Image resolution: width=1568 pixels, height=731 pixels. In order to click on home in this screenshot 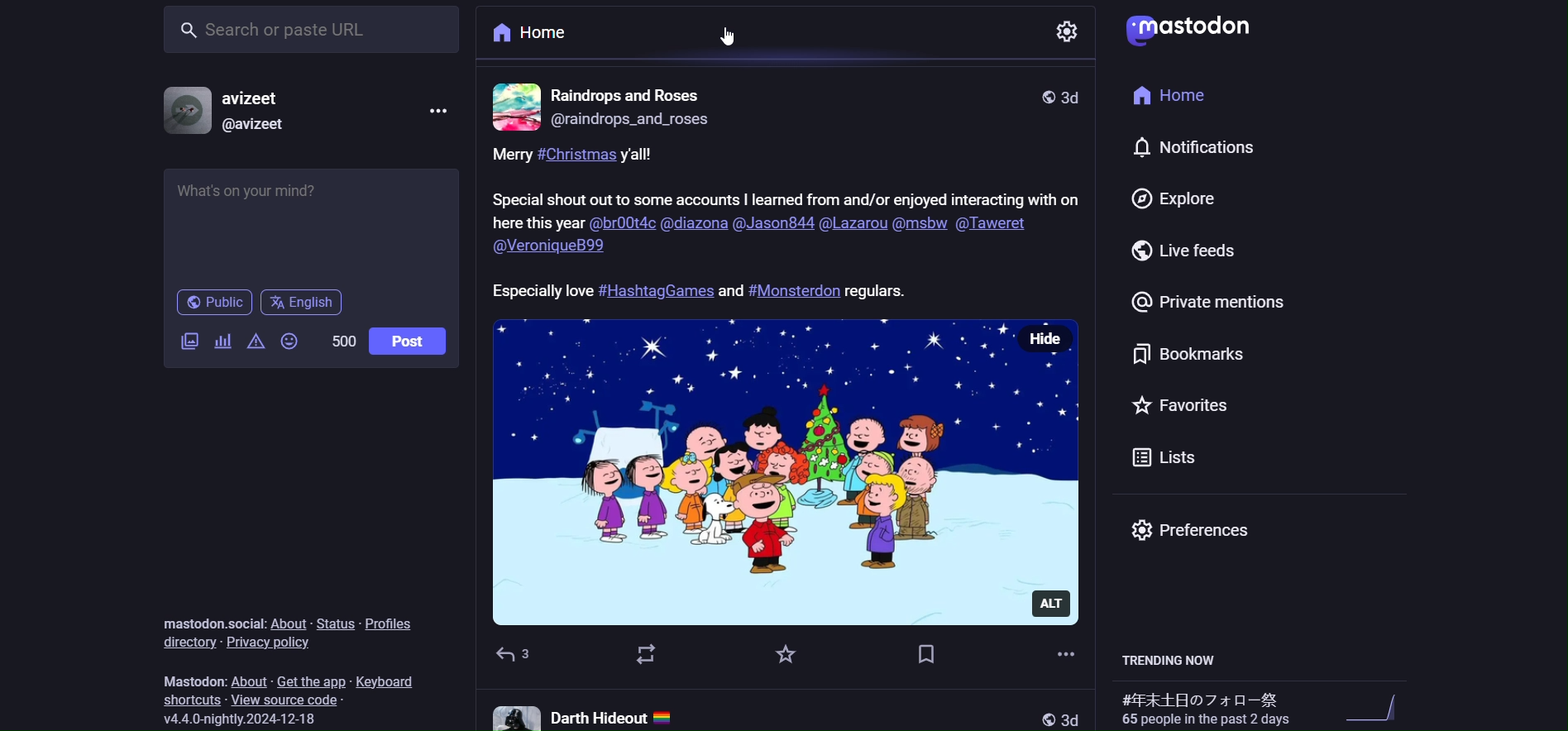, I will do `click(537, 36)`.